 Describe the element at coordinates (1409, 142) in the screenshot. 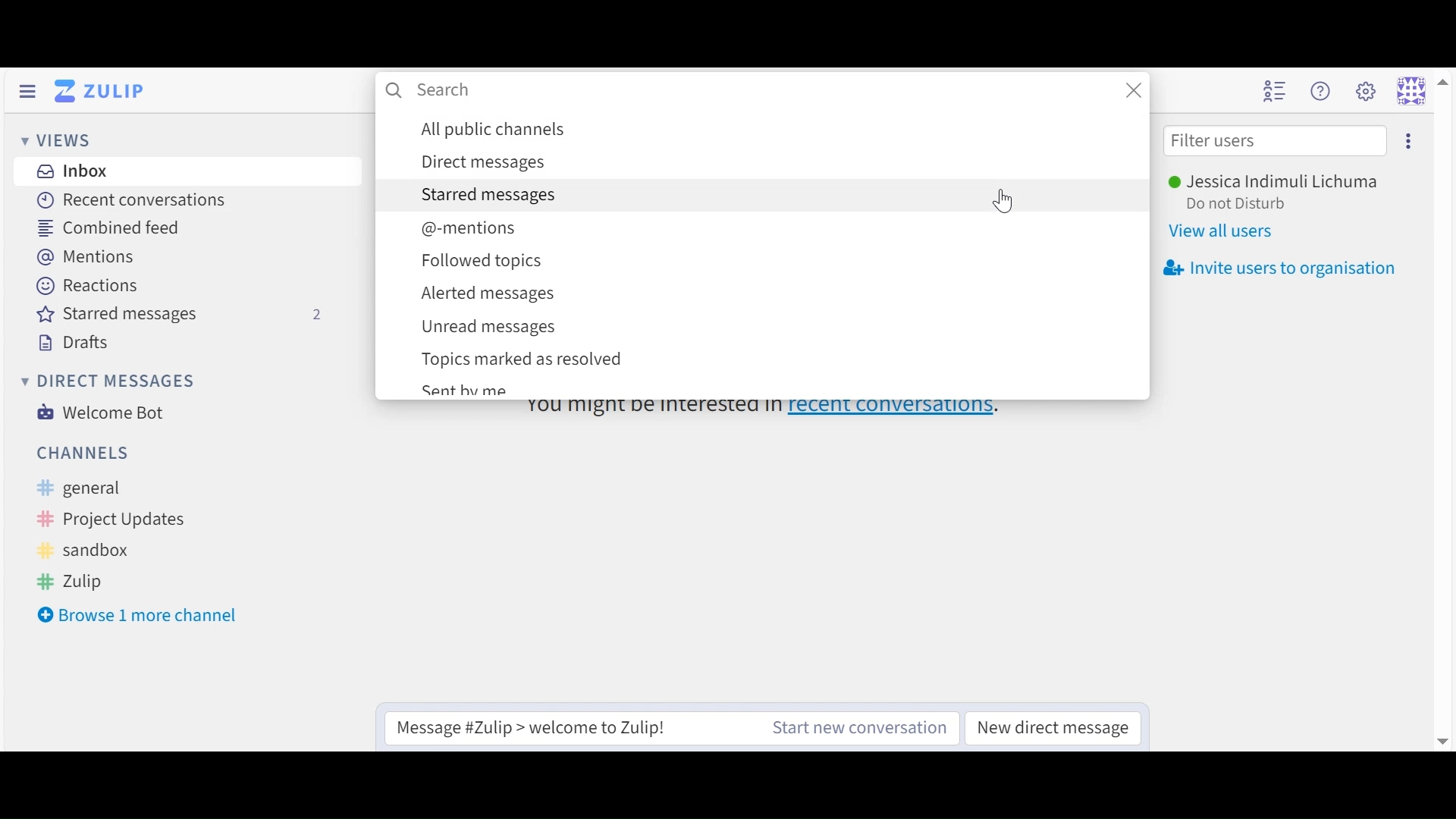

I see `settings` at that location.